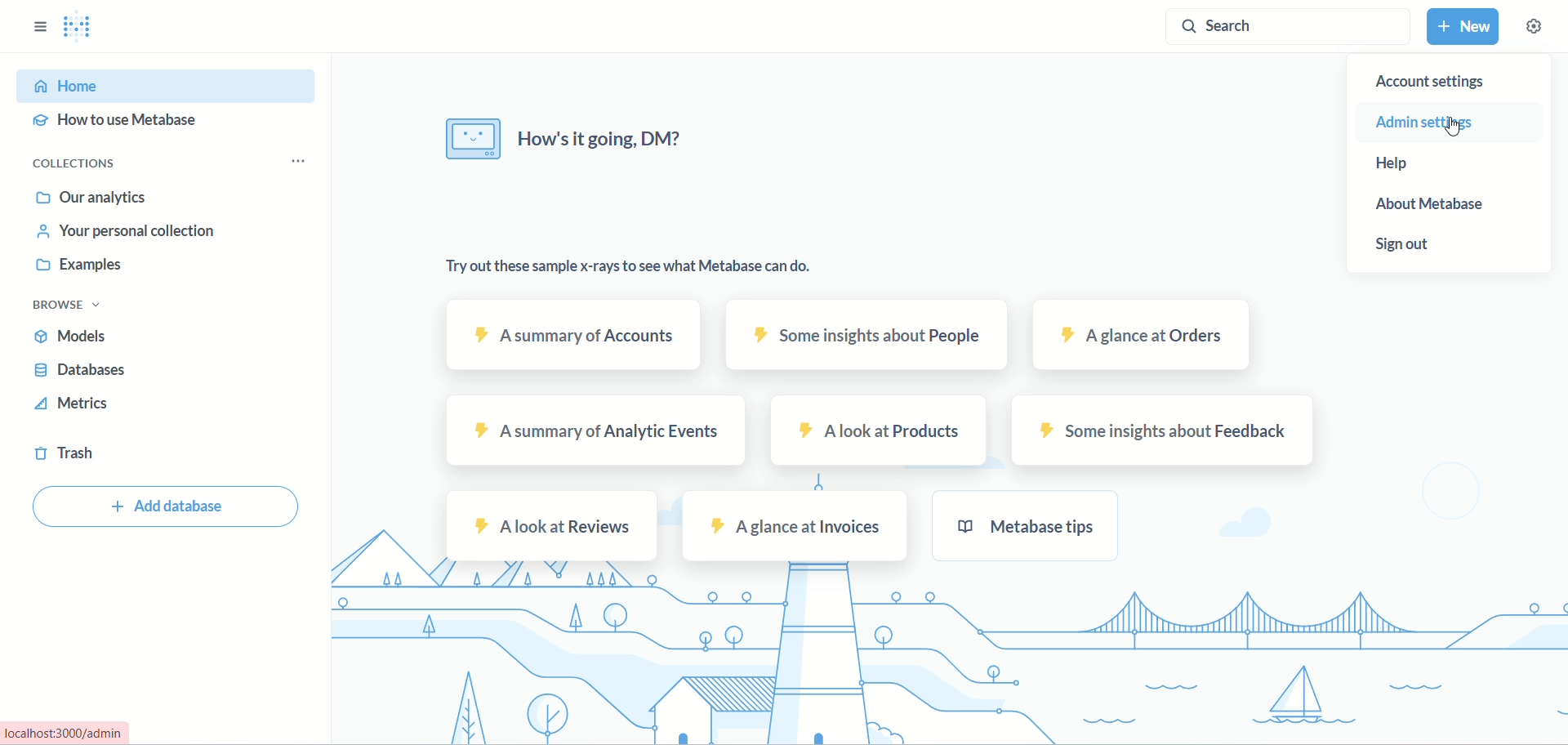 This screenshot has height=745, width=1568. Describe the element at coordinates (110, 126) in the screenshot. I see `how to use metabase` at that location.